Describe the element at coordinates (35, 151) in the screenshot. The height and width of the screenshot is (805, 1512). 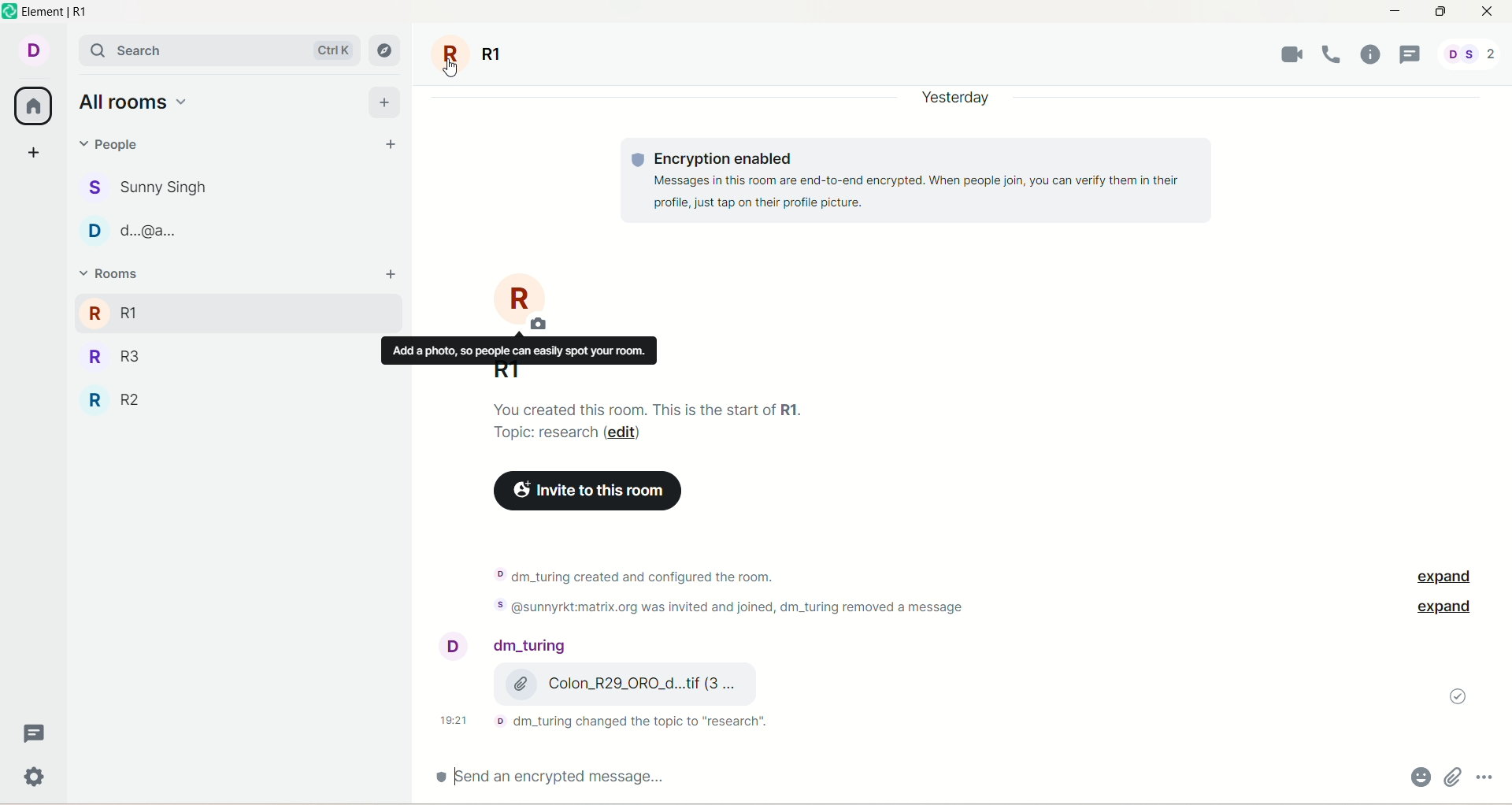
I see `create a space` at that location.